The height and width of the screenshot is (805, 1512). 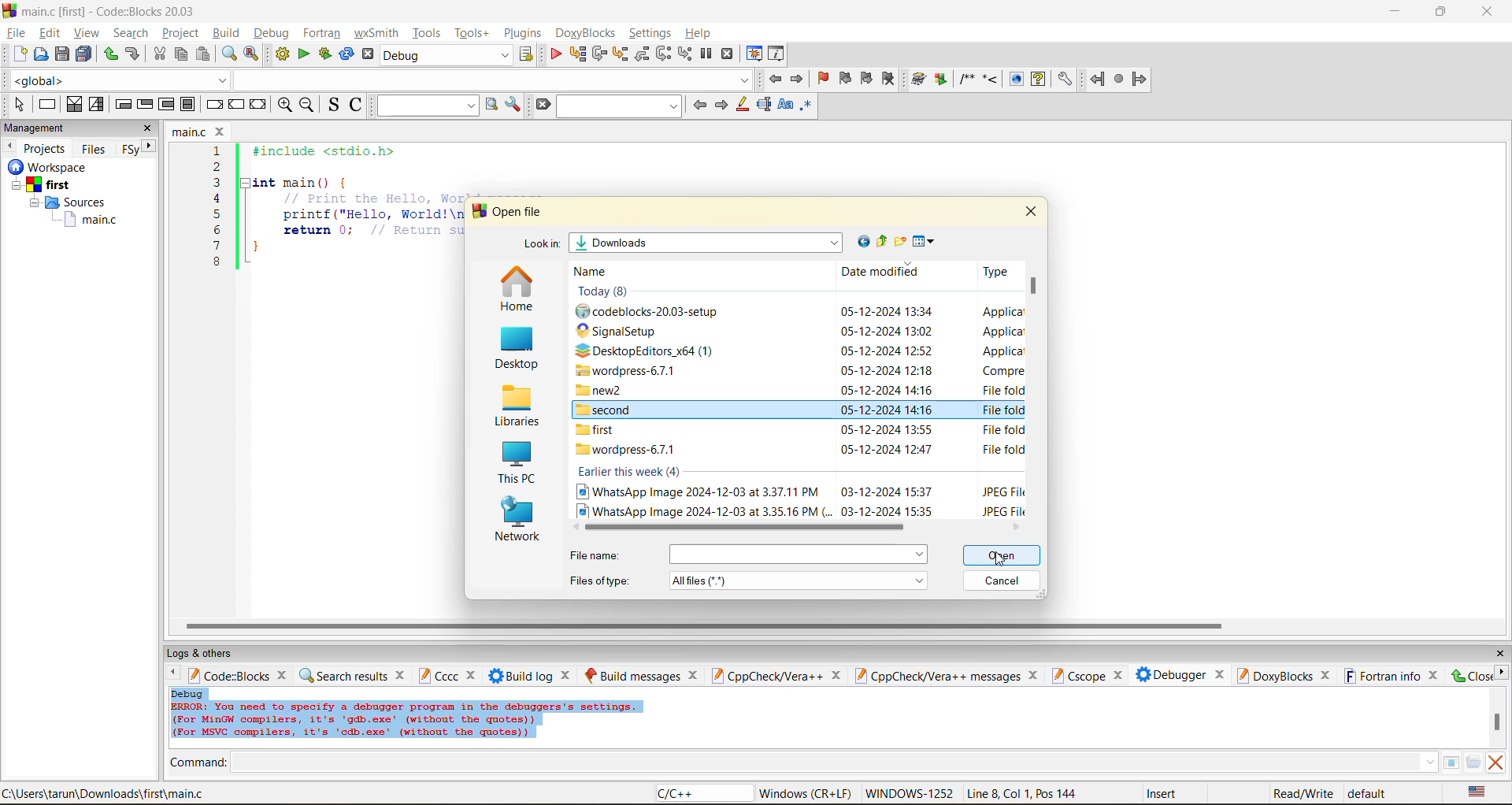 What do you see at coordinates (1014, 79) in the screenshot?
I see `show` at bounding box center [1014, 79].